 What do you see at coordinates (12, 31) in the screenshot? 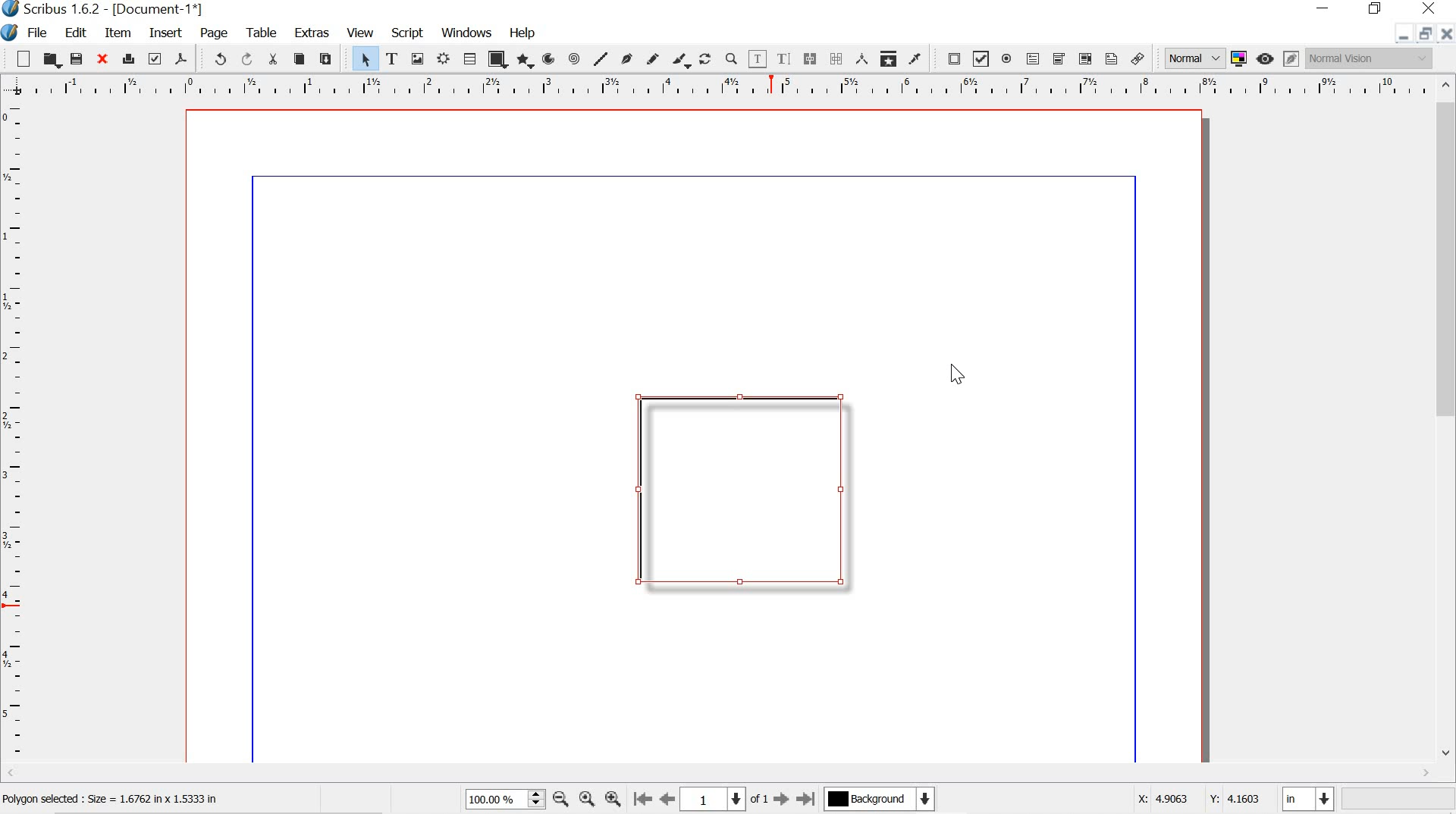
I see `SYSTEM LOGO` at bounding box center [12, 31].